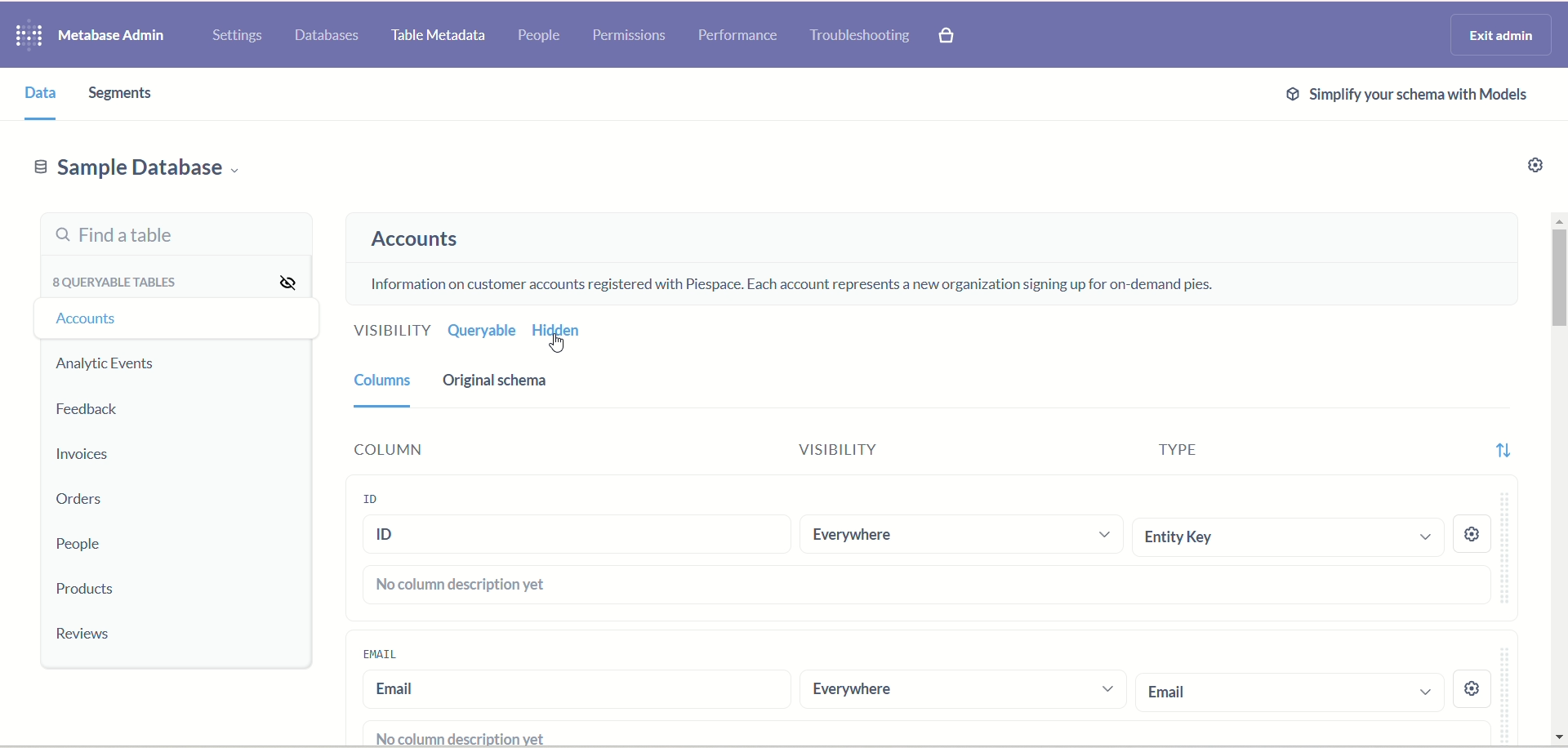  Describe the element at coordinates (1537, 167) in the screenshot. I see `settings` at that location.